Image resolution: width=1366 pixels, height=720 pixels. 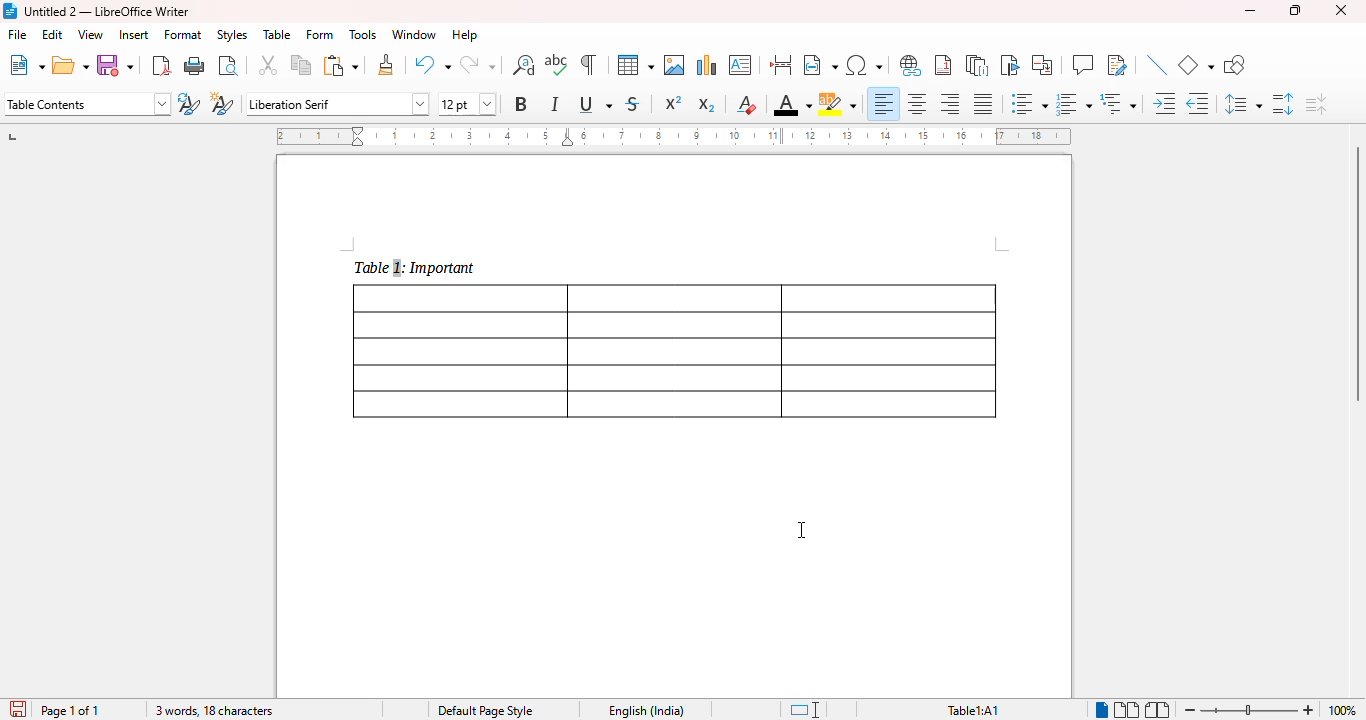 What do you see at coordinates (1083, 64) in the screenshot?
I see `insert comment` at bounding box center [1083, 64].